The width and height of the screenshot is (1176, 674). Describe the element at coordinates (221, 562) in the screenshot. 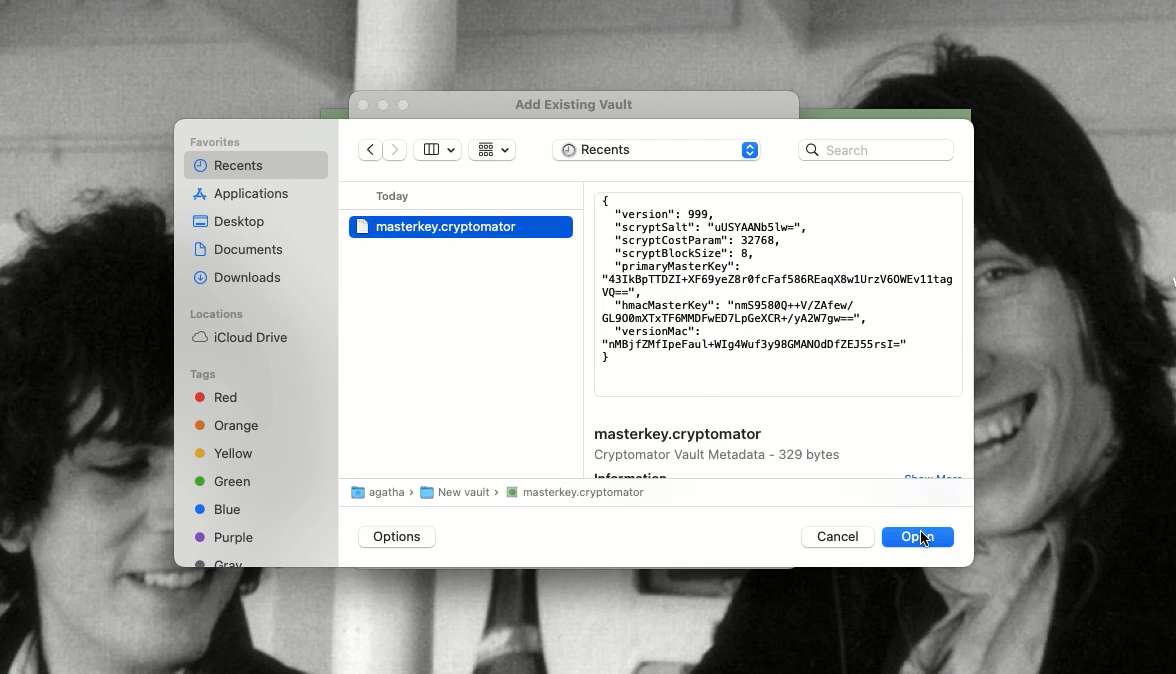

I see `Gray` at that location.